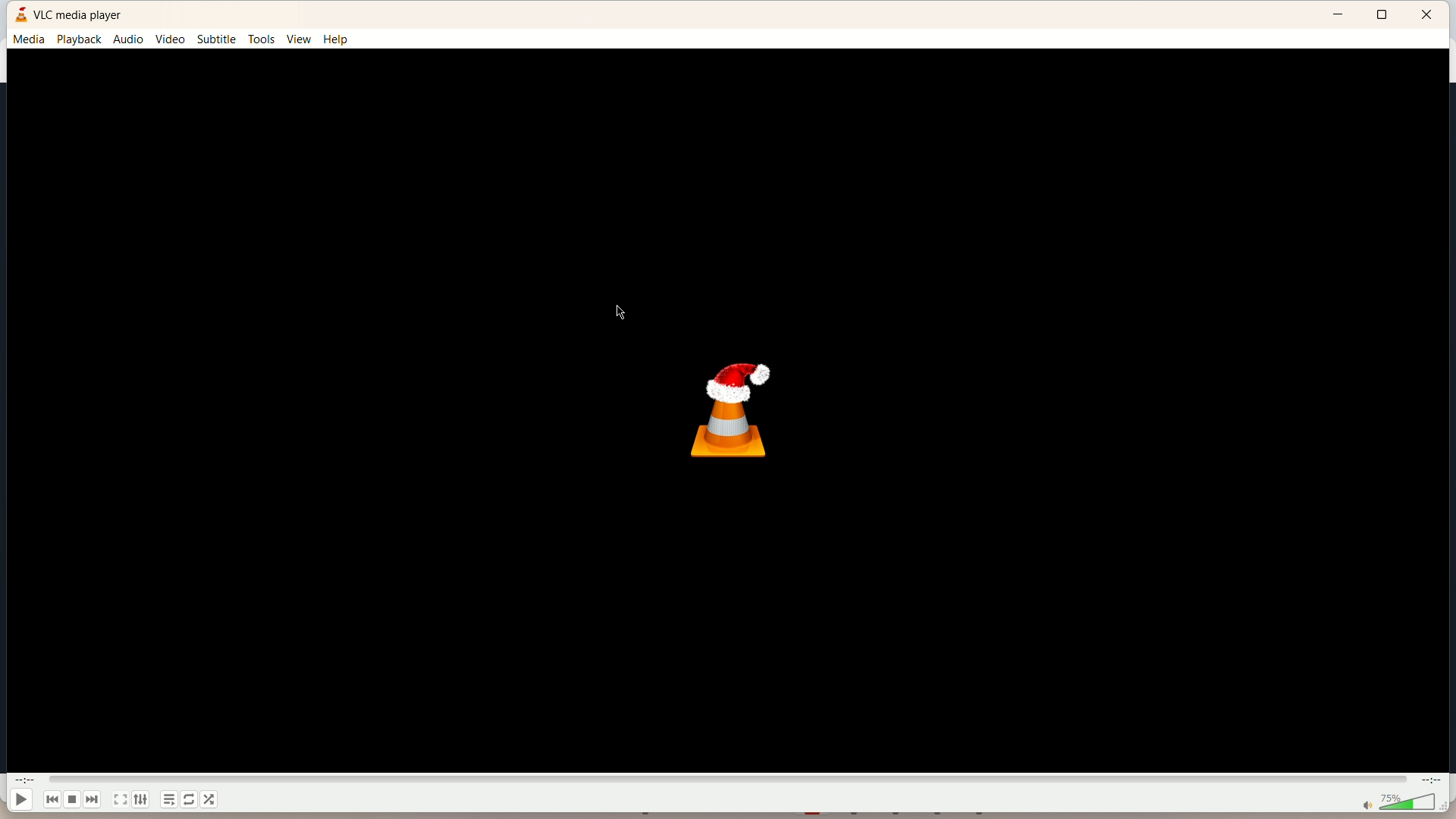 The width and height of the screenshot is (1456, 819). Describe the element at coordinates (1385, 17) in the screenshot. I see `maximize` at that location.